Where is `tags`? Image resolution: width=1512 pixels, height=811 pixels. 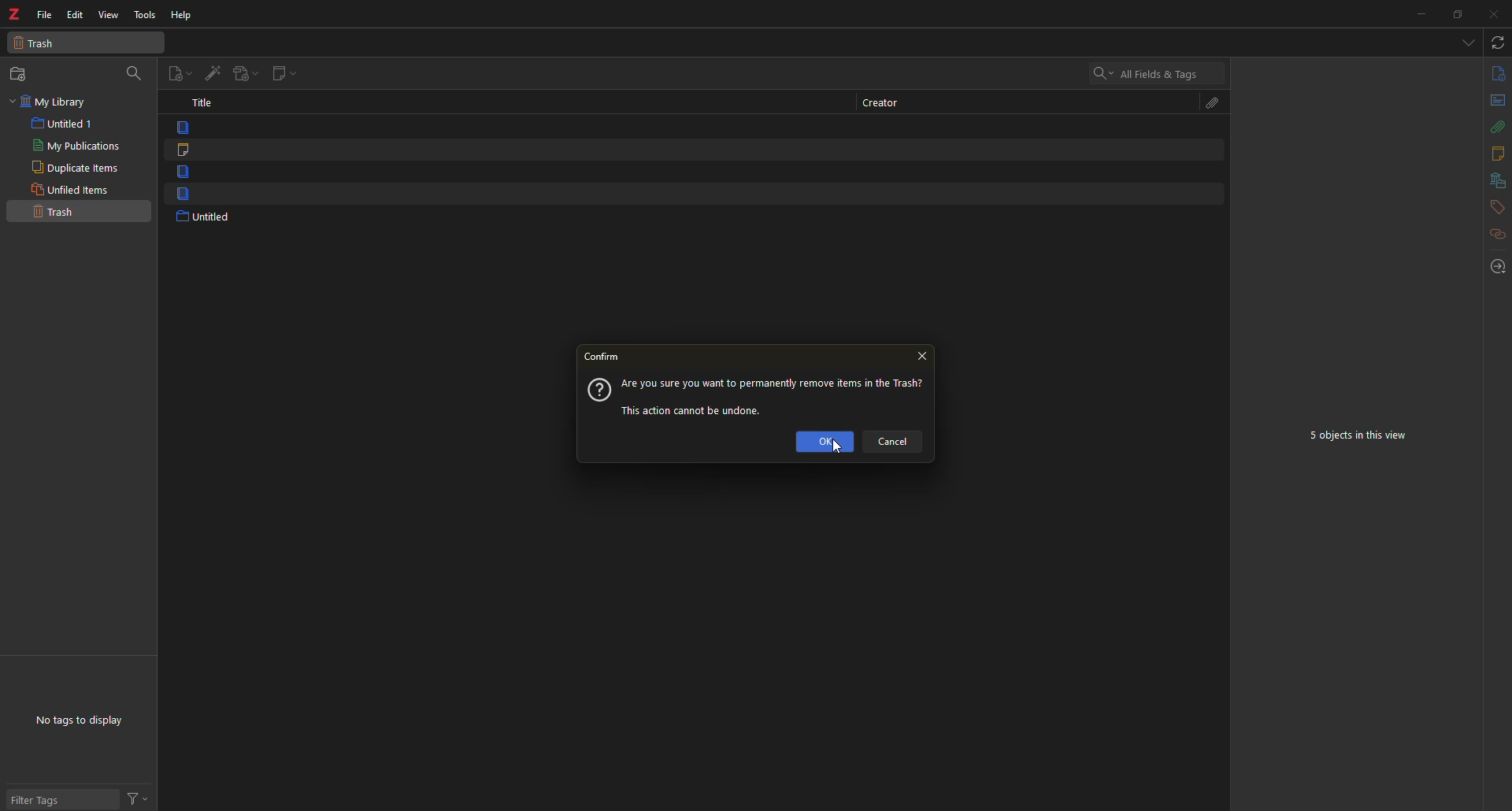
tags is located at coordinates (1496, 206).